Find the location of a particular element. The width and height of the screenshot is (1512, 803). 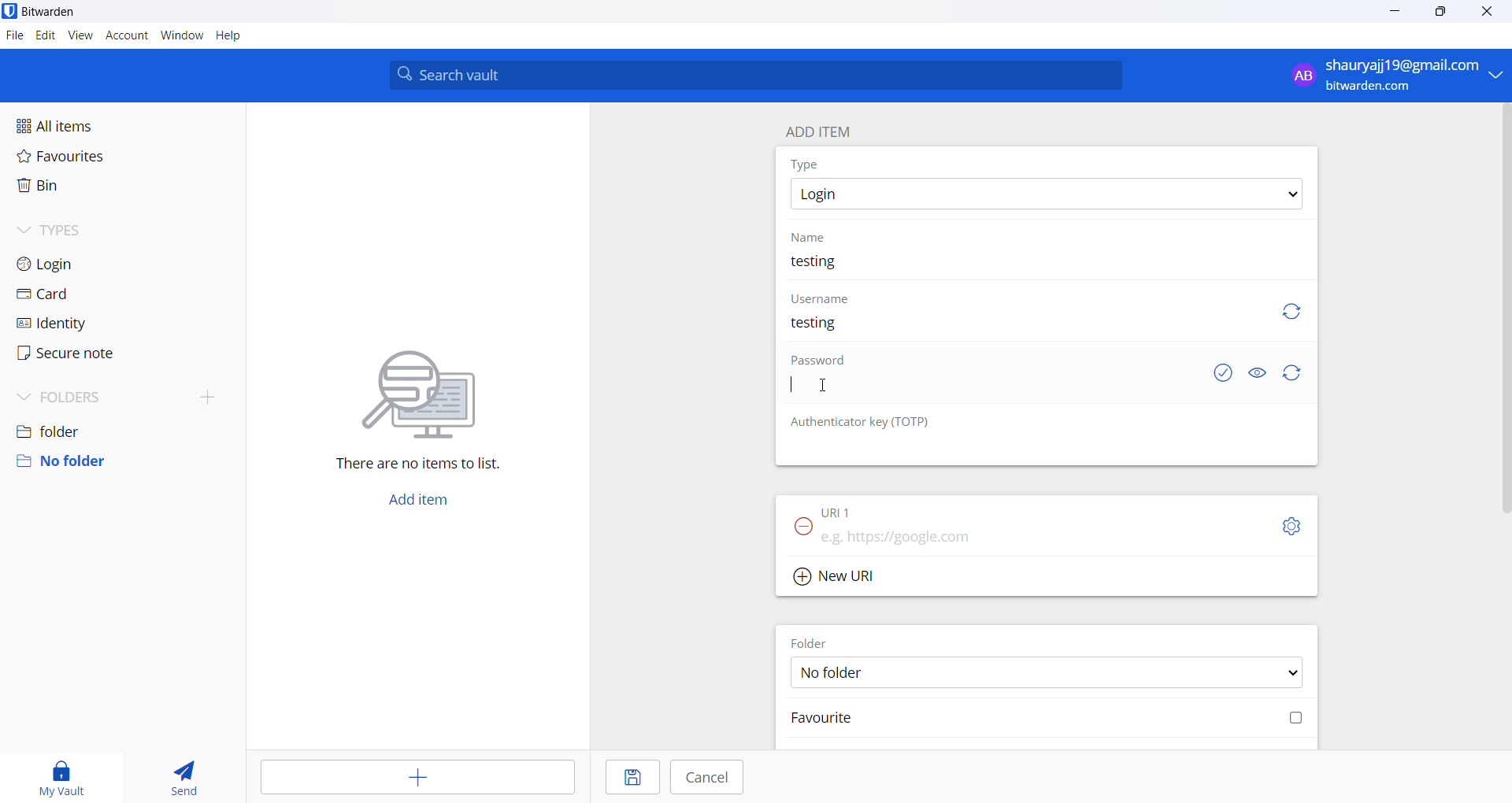

profile: shauryajj19@gmail.com is located at coordinates (1392, 75).